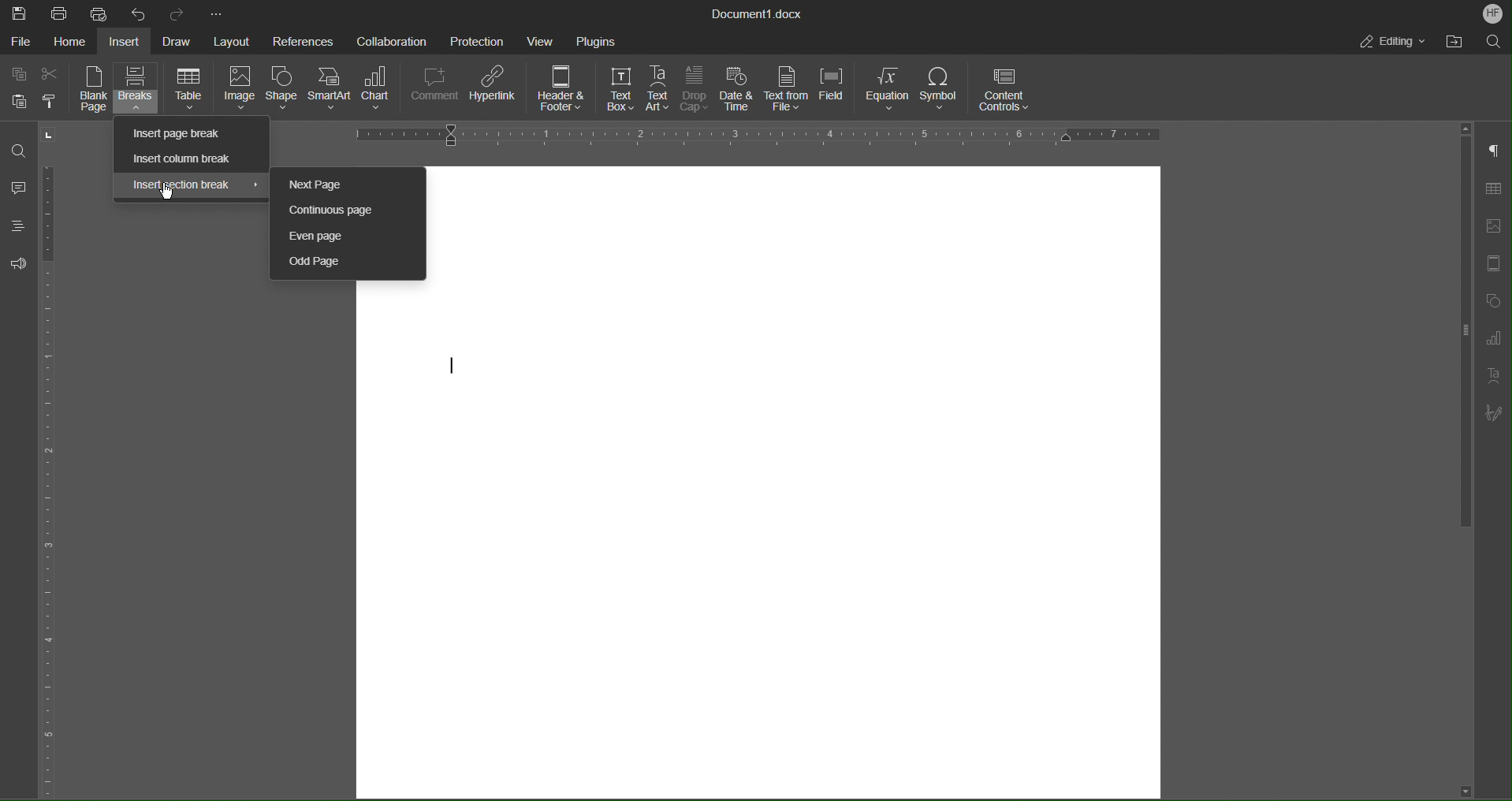 The height and width of the screenshot is (801, 1512). What do you see at coordinates (17, 185) in the screenshot?
I see `Comments` at bounding box center [17, 185].